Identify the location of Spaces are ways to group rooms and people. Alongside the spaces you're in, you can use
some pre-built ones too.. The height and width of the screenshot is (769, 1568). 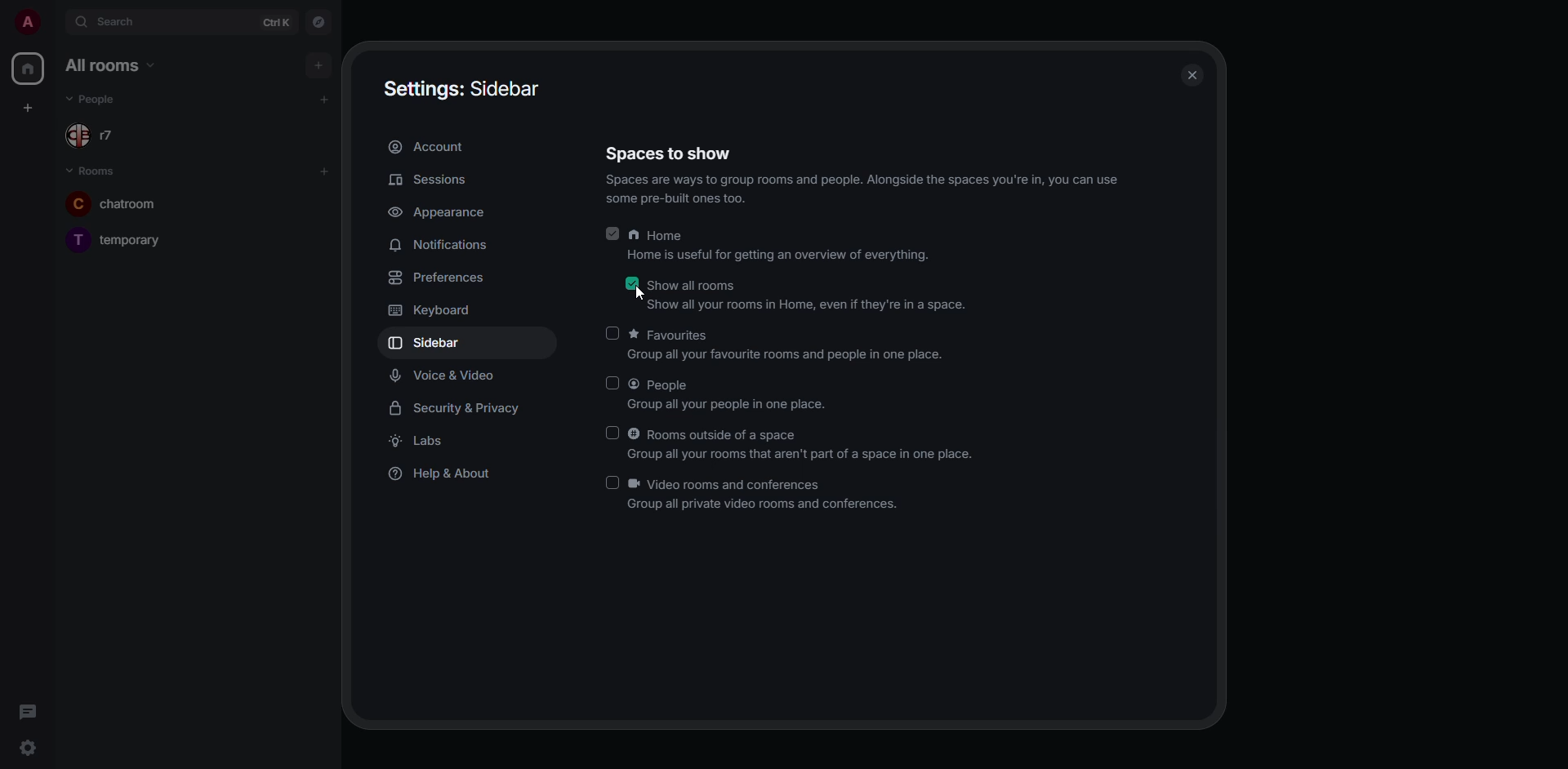
(863, 193).